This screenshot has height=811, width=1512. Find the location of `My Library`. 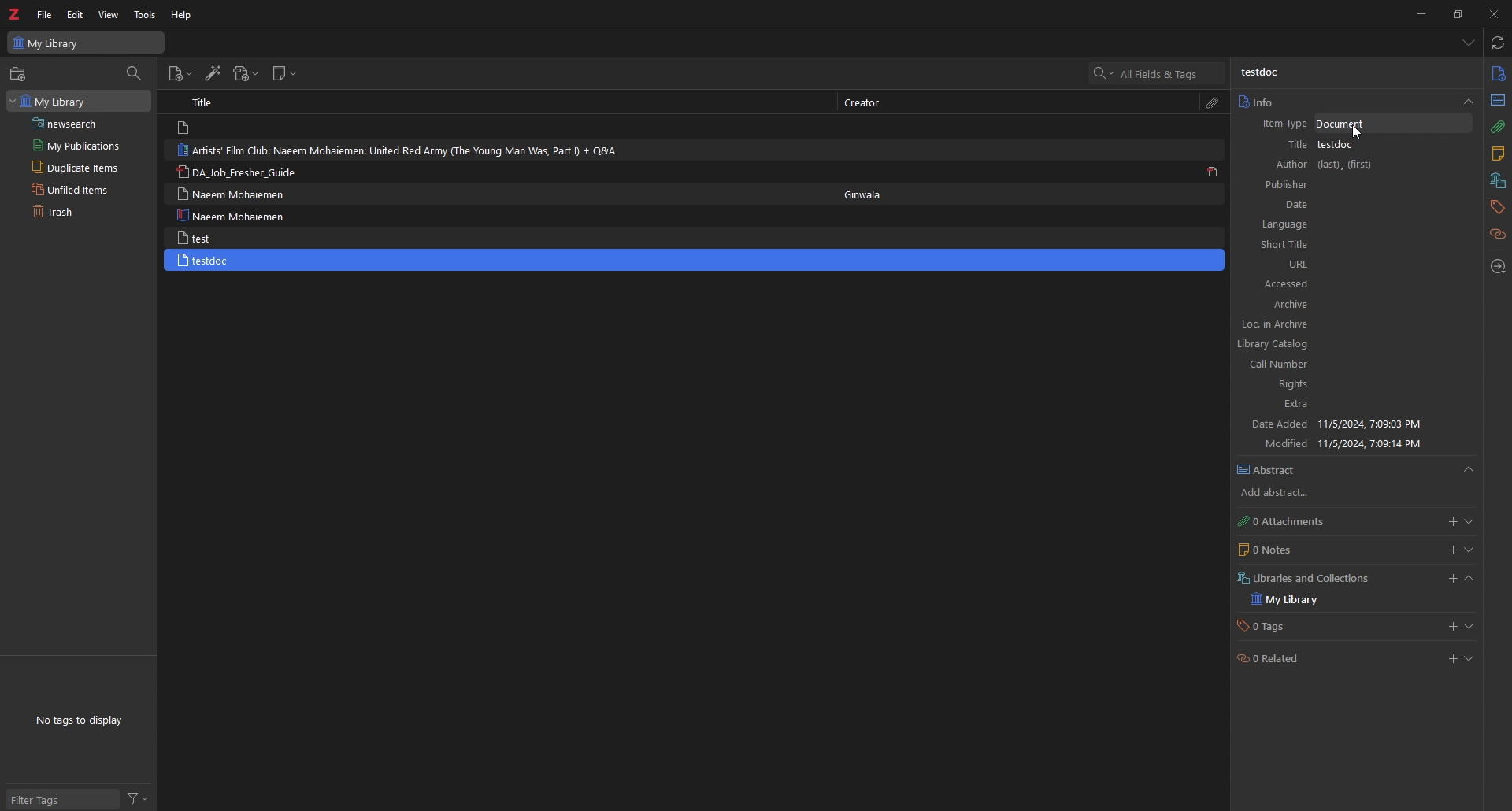

My Library is located at coordinates (1297, 599).